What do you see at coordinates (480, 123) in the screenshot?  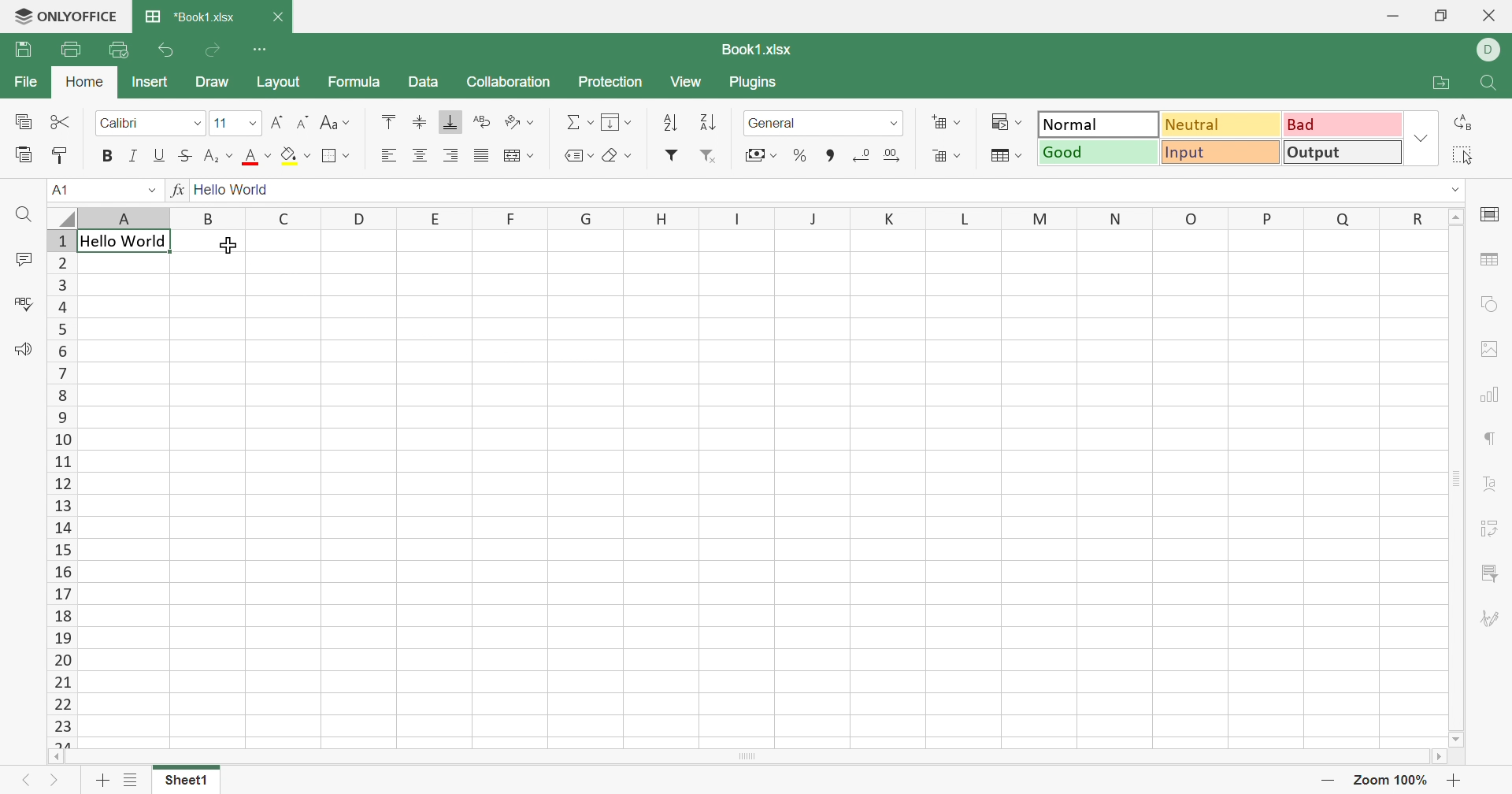 I see `Wrap text` at bounding box center [480, 123].